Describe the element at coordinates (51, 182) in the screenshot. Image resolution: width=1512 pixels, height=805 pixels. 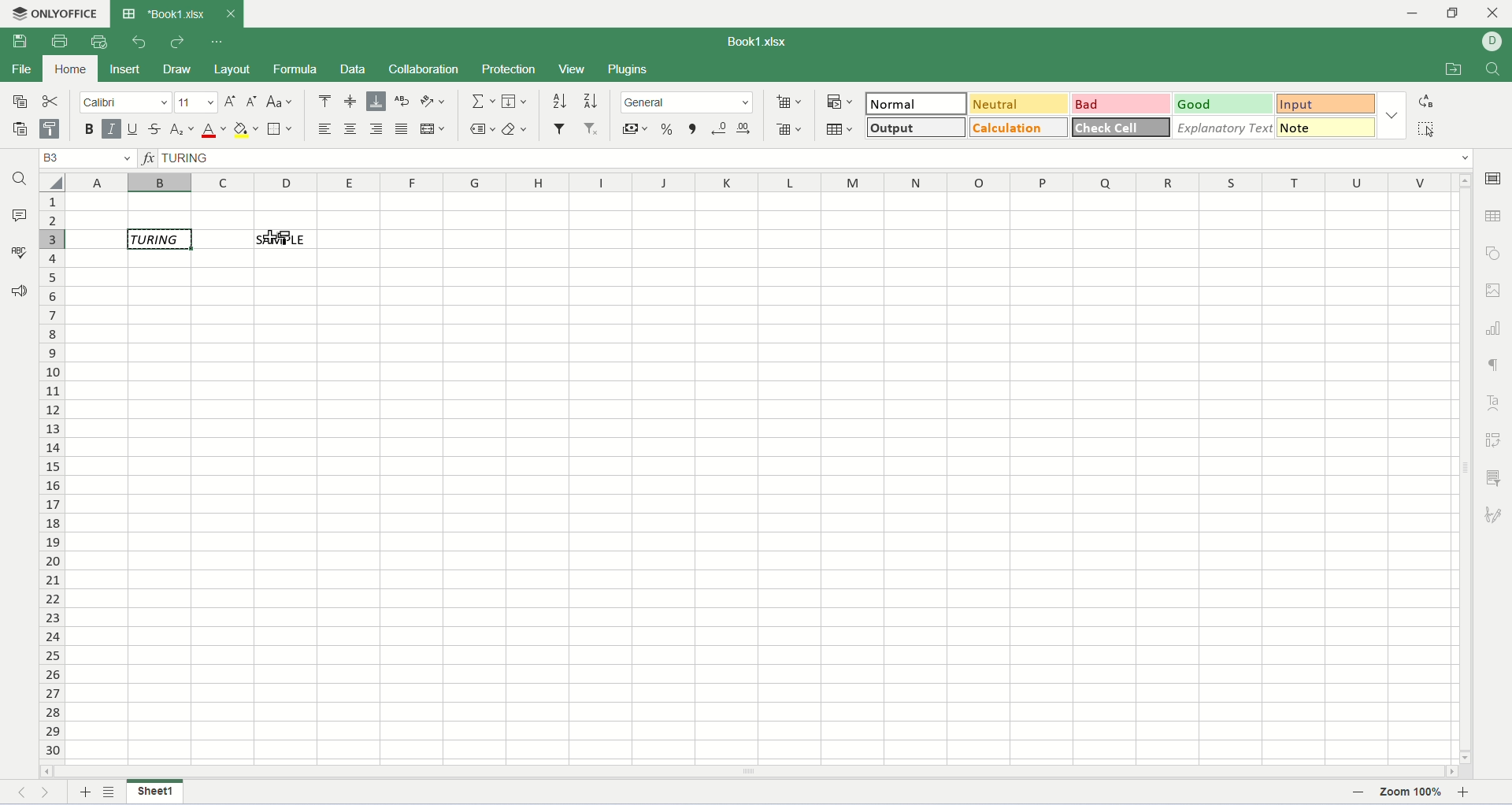
I see `select all` at that location.